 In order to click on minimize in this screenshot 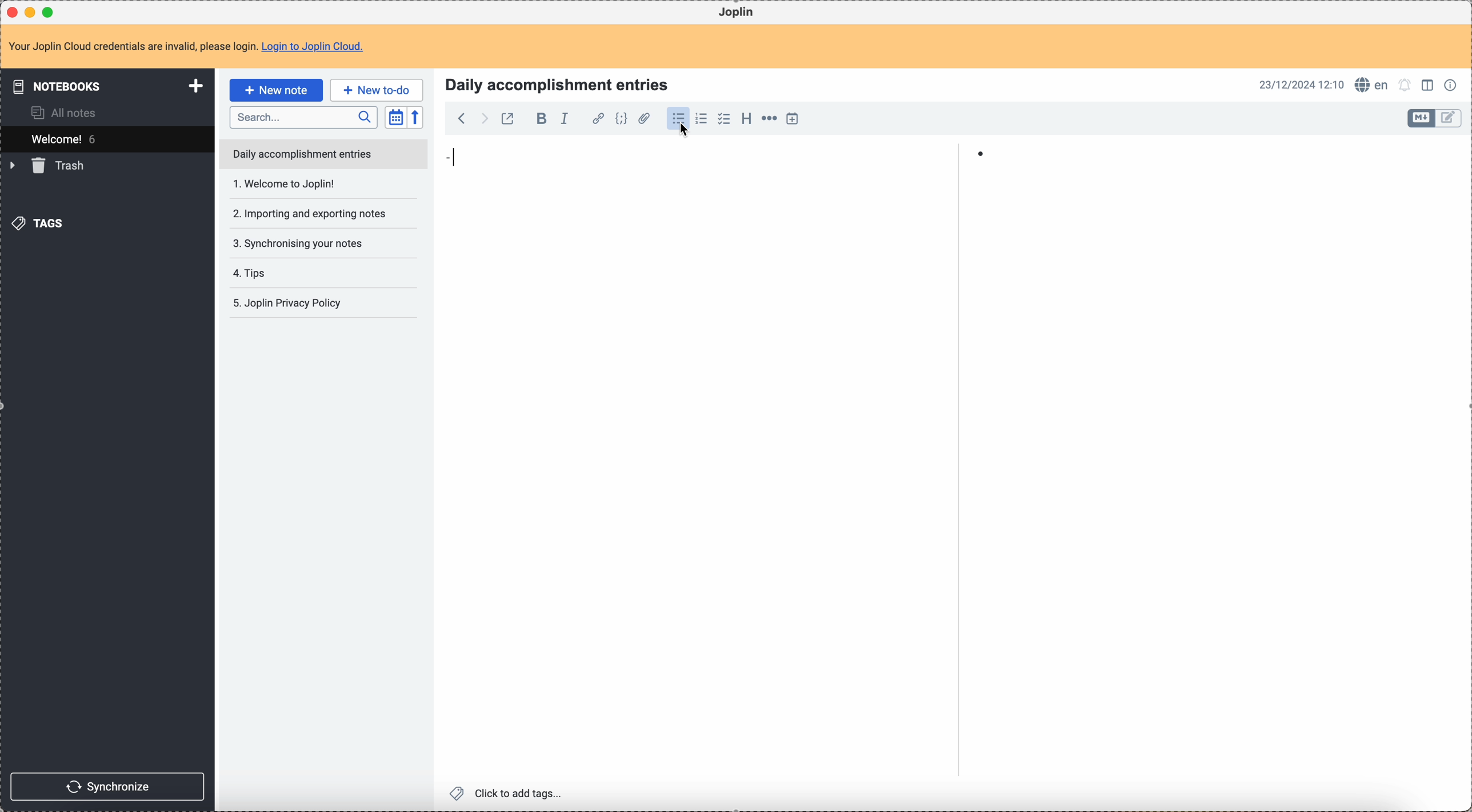, I will do `click(33, 11)`.